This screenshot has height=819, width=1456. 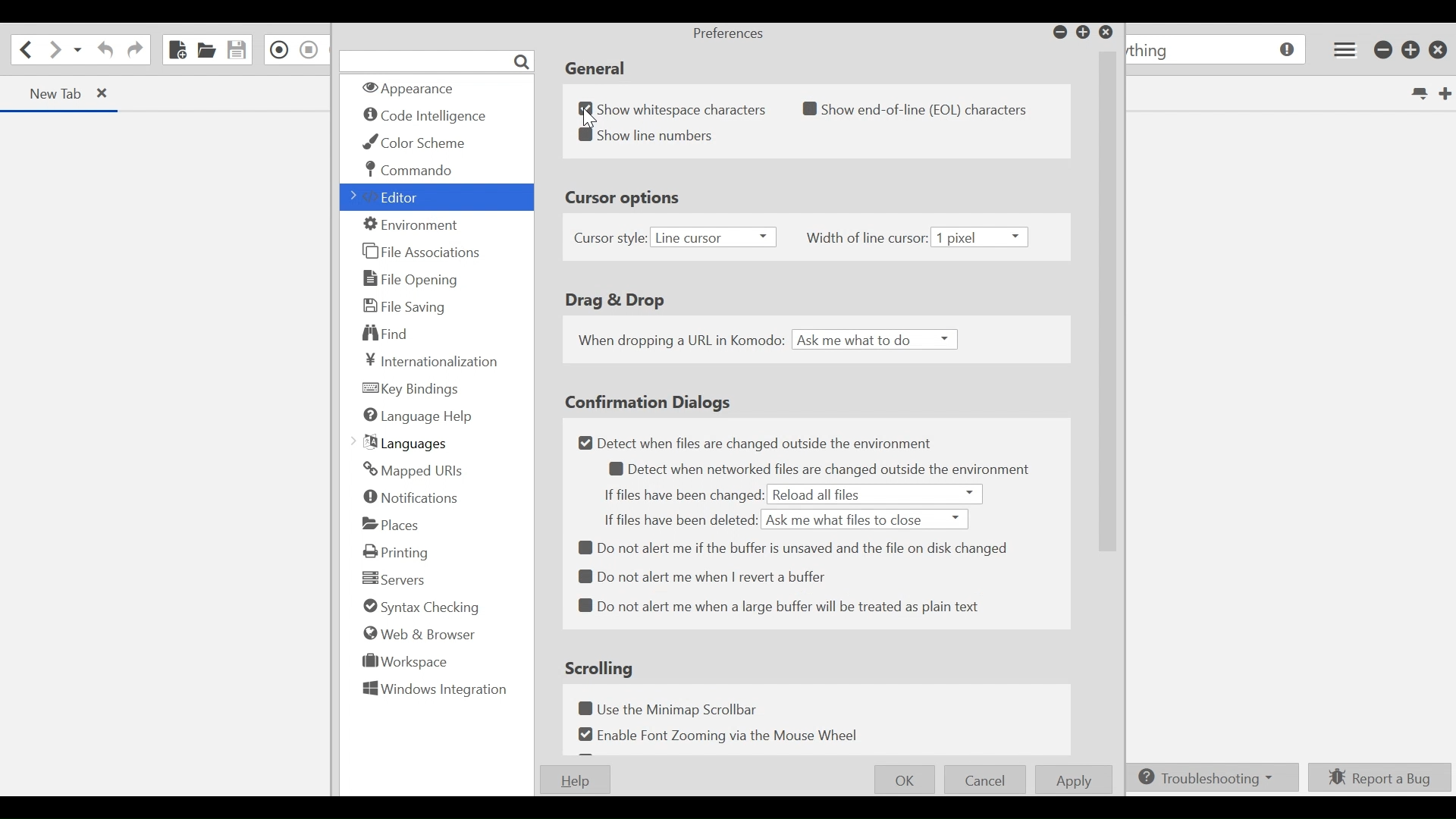 I want to click on Find, so click(x=392, y=334).